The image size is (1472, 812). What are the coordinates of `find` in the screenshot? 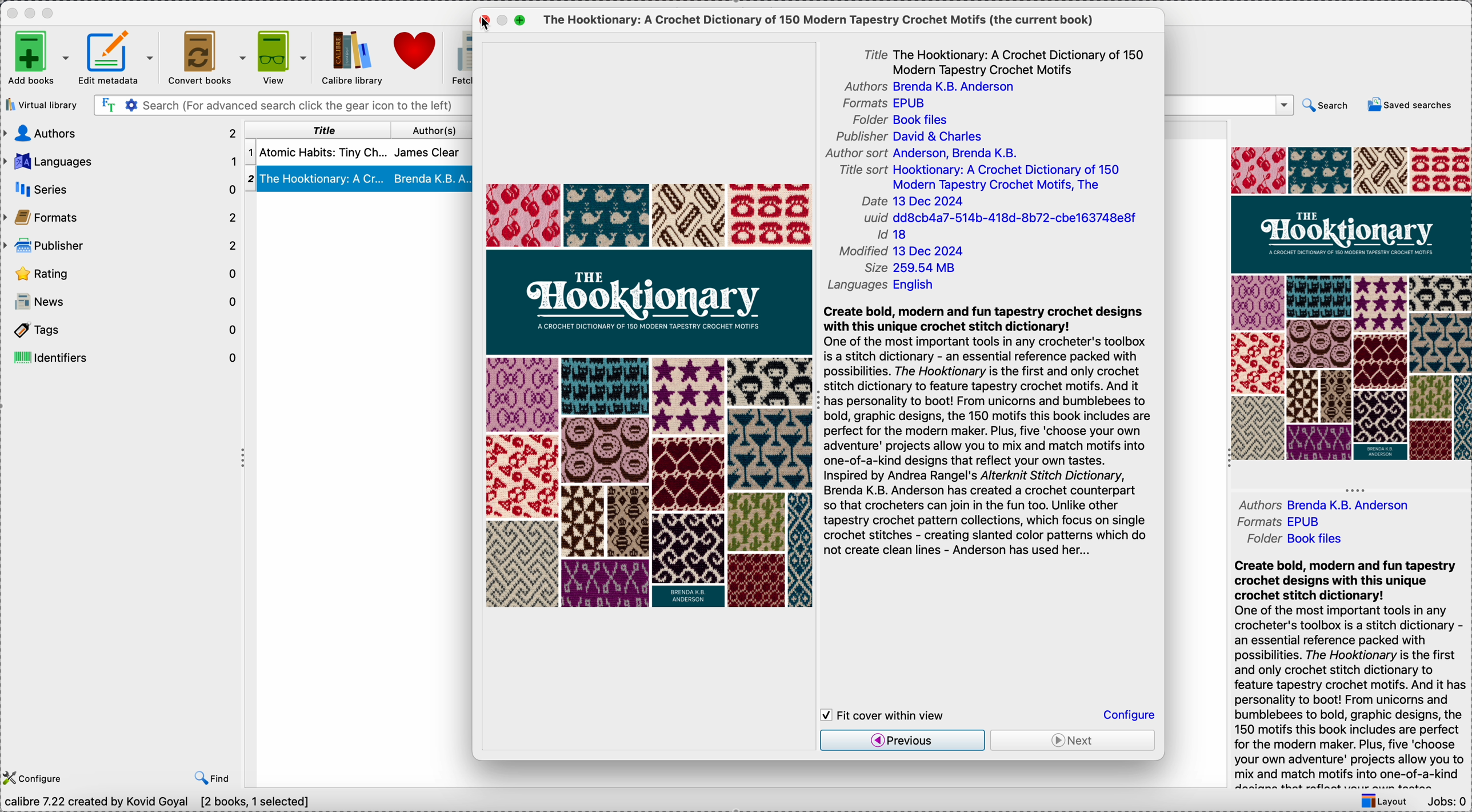 It's located at (213, 776).